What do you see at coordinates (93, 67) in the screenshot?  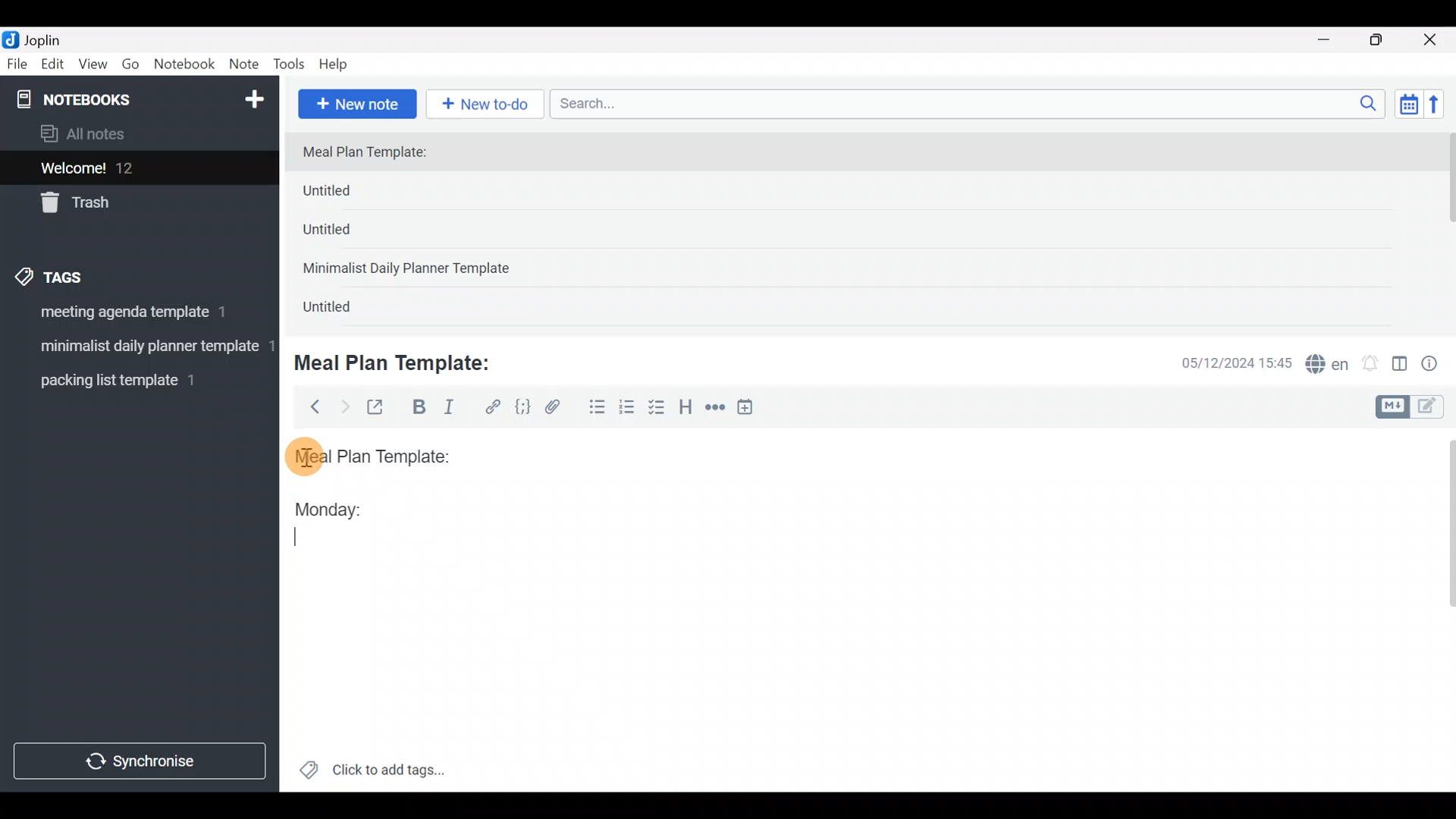 I see `View` at bounding box center [93, 67].